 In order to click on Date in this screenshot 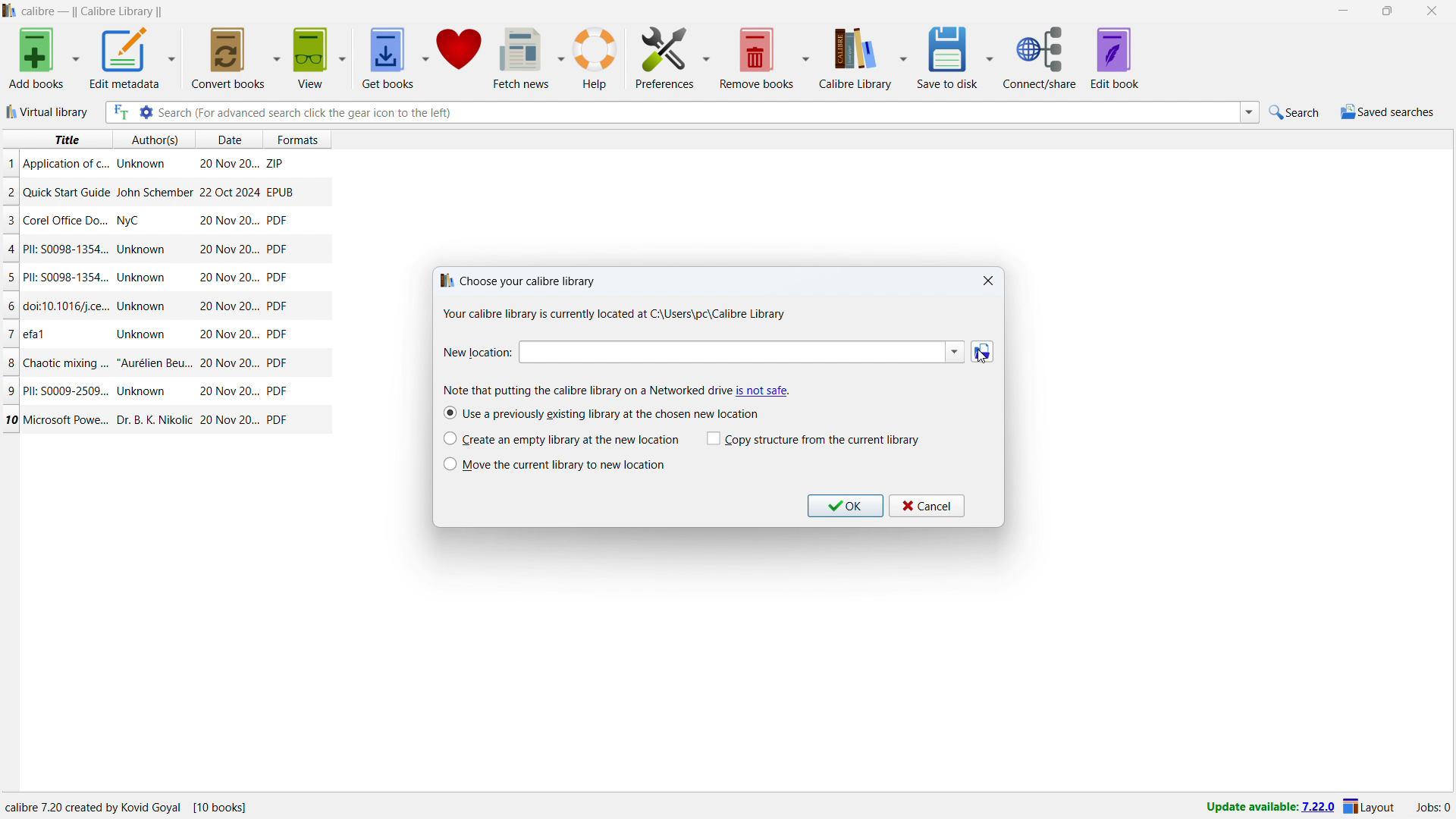, I will do `click(229, 249)`.